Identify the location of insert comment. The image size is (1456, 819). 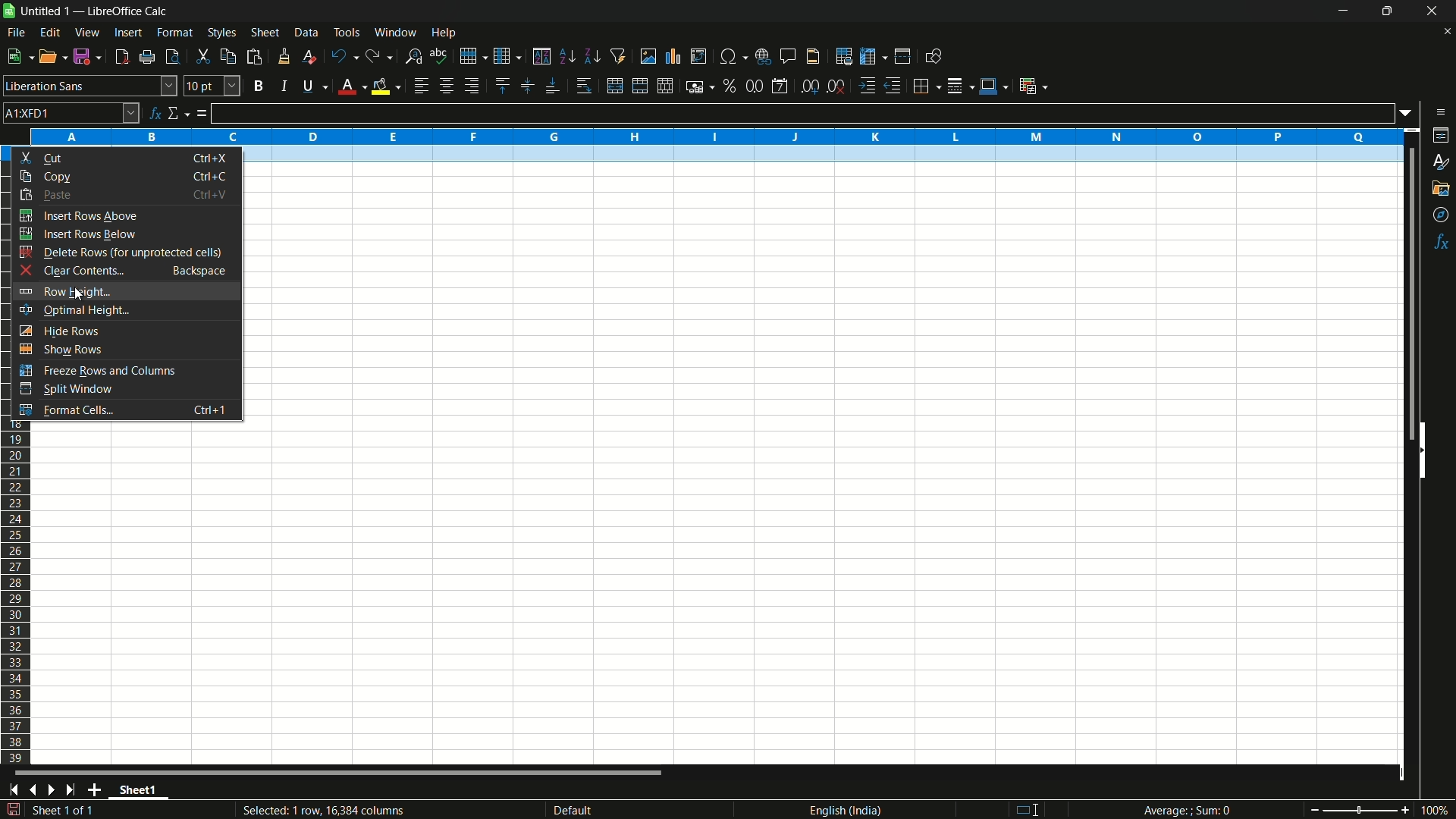
(789, 56).